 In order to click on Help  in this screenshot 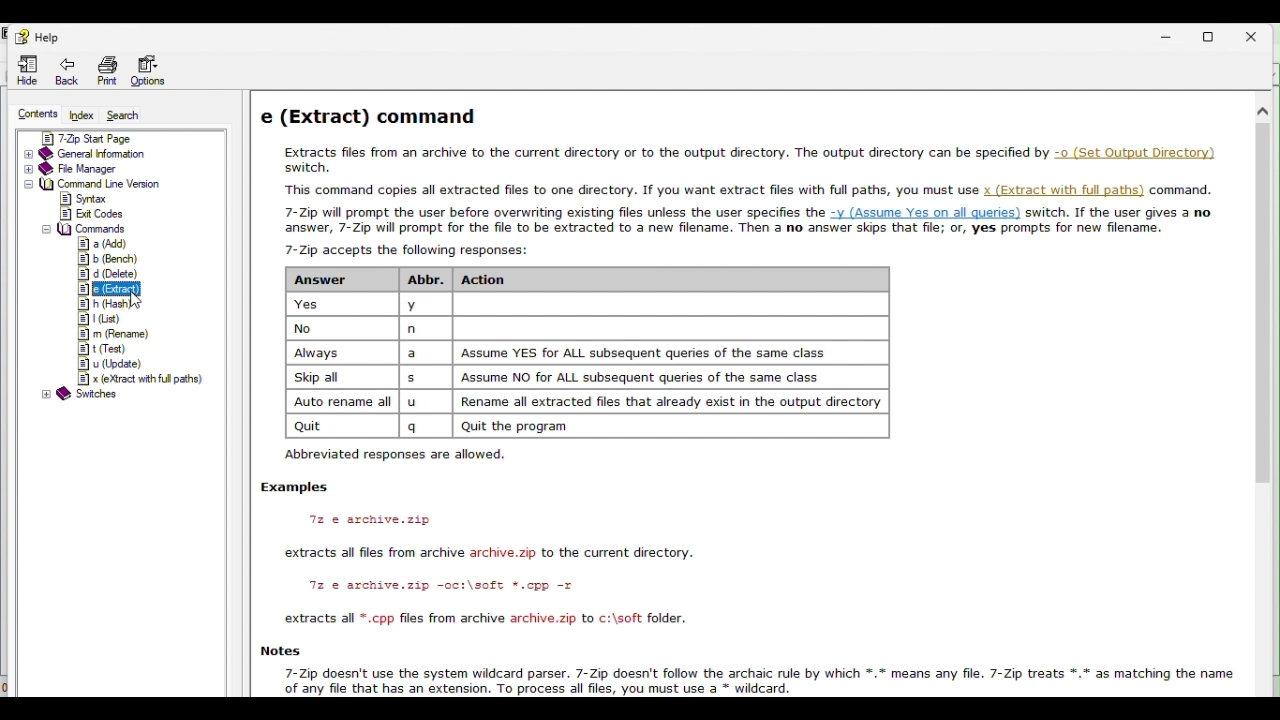, I will do `click(36, 35)`.